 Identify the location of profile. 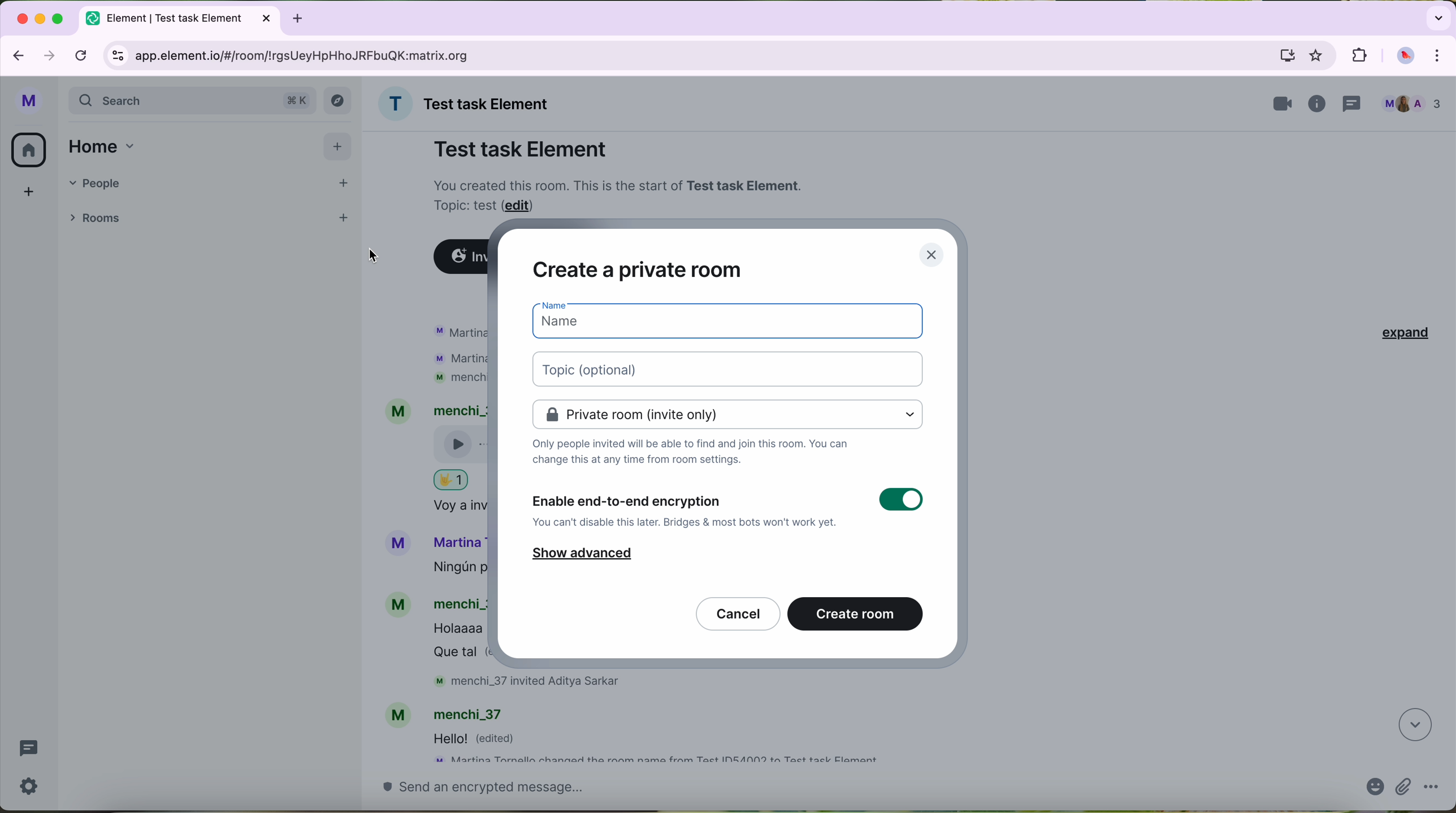
(29, 103).